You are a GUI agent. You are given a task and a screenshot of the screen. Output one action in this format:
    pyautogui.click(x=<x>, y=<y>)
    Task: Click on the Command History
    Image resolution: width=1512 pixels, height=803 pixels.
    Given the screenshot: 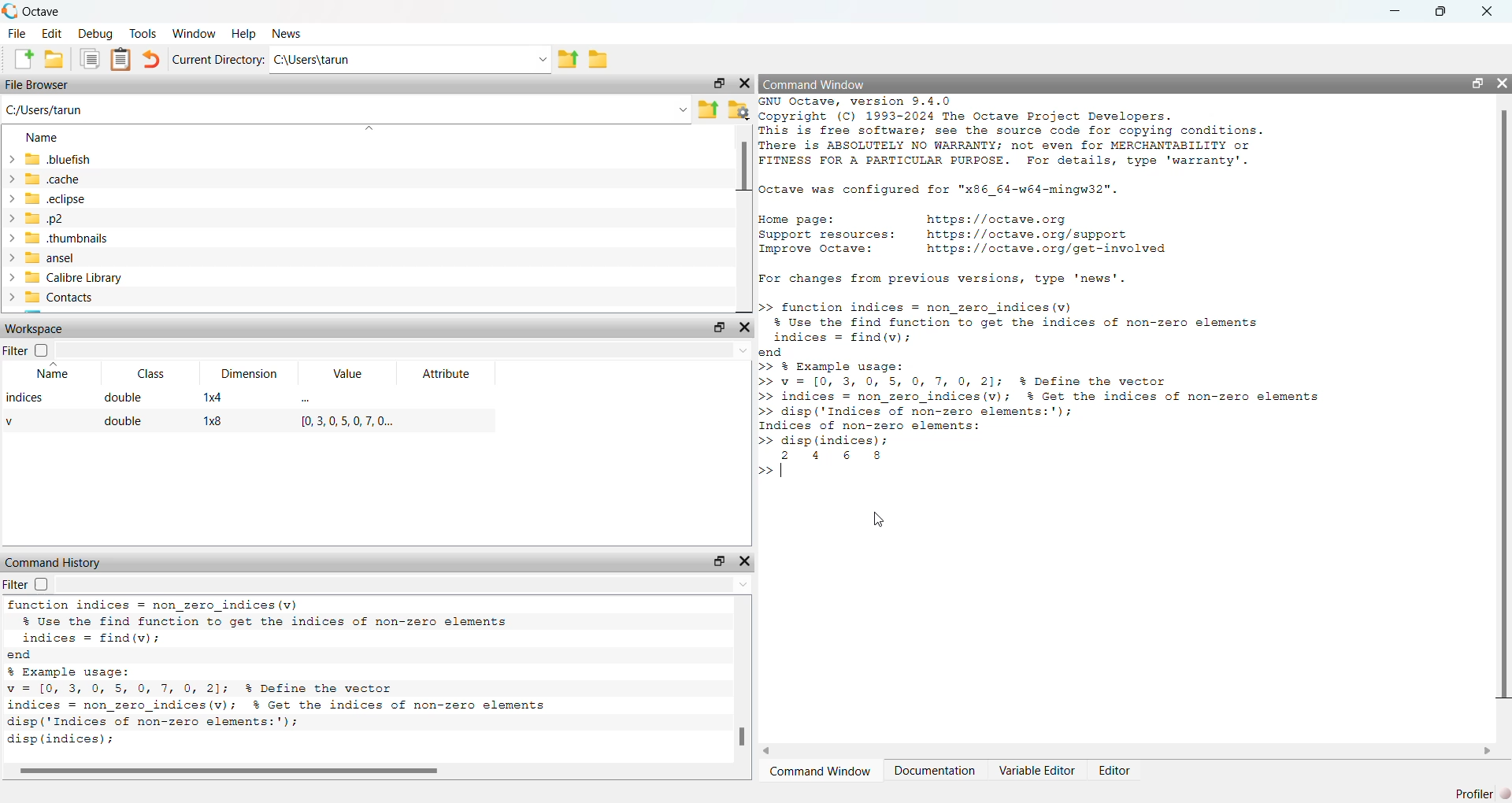 What is the action you would take?
    pyautogui.click(x=56, y=561)
    